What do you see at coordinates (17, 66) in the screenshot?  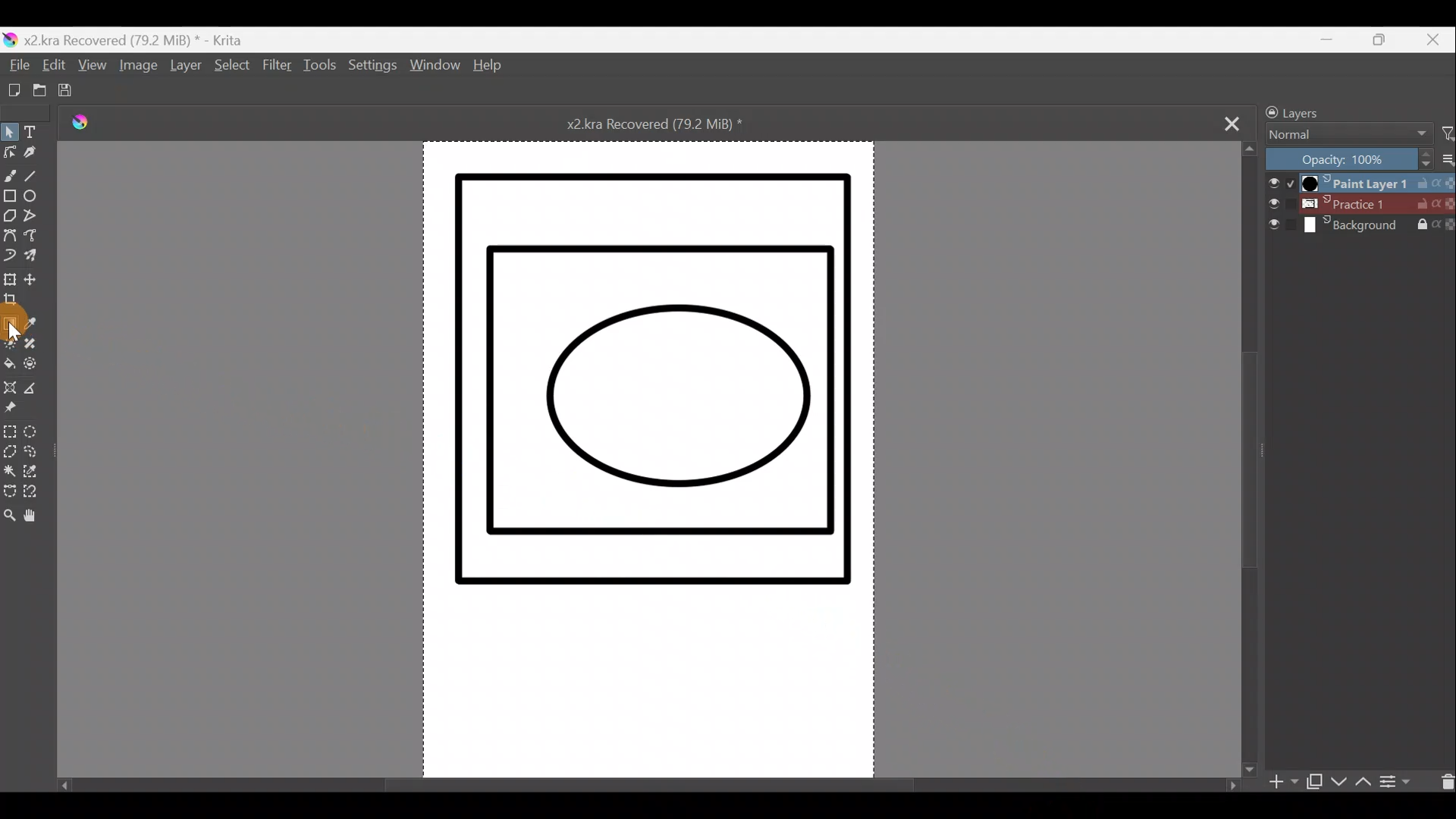 I see `File` at bounding box center [17, 66].